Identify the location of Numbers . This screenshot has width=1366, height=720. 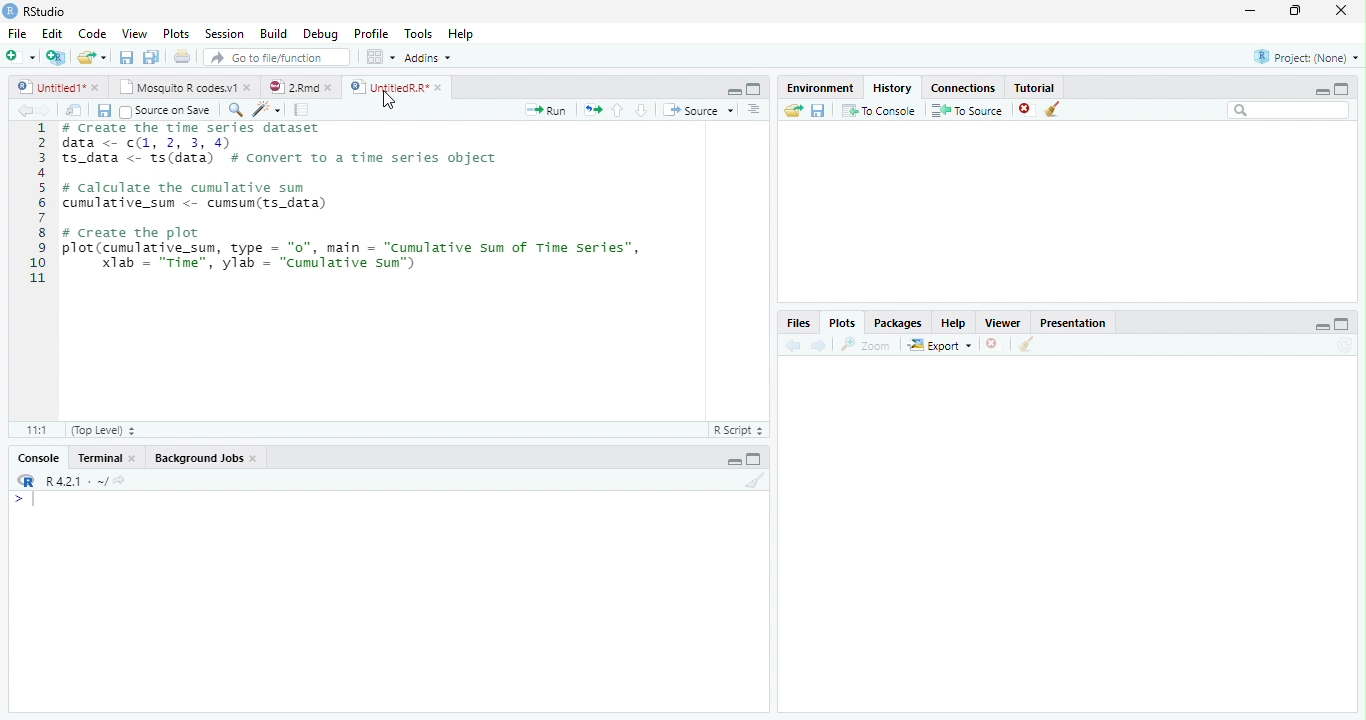
(40, 205).